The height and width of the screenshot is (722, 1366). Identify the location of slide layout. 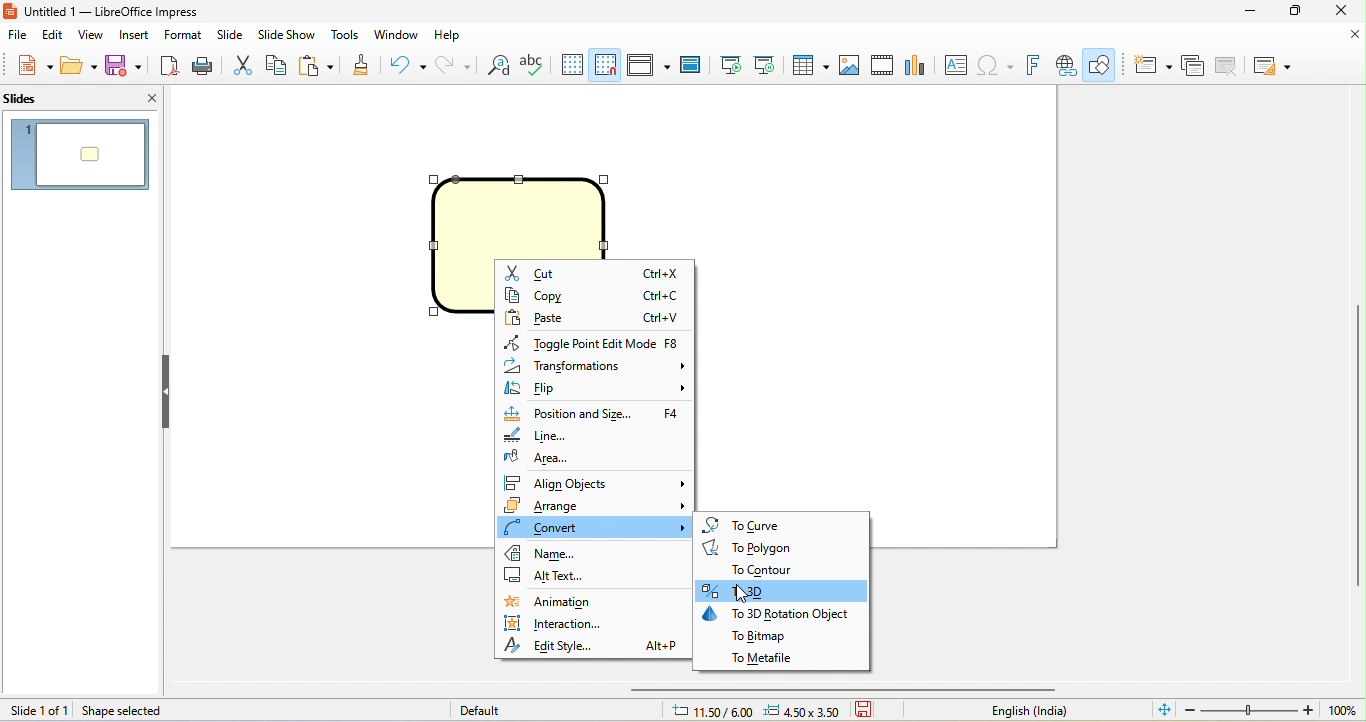
(1273, 65).